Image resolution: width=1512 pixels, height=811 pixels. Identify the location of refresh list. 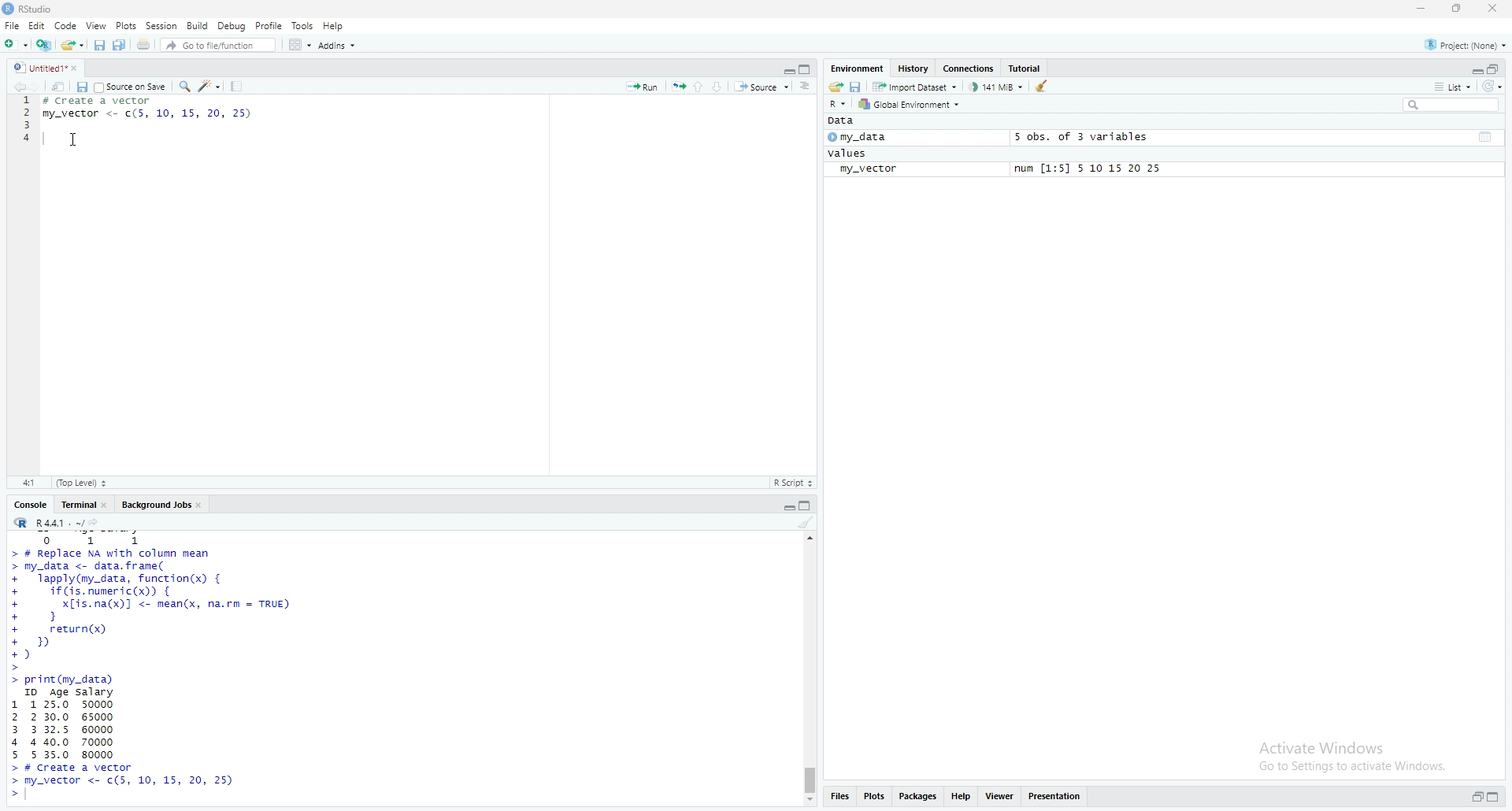
(1495, 87).